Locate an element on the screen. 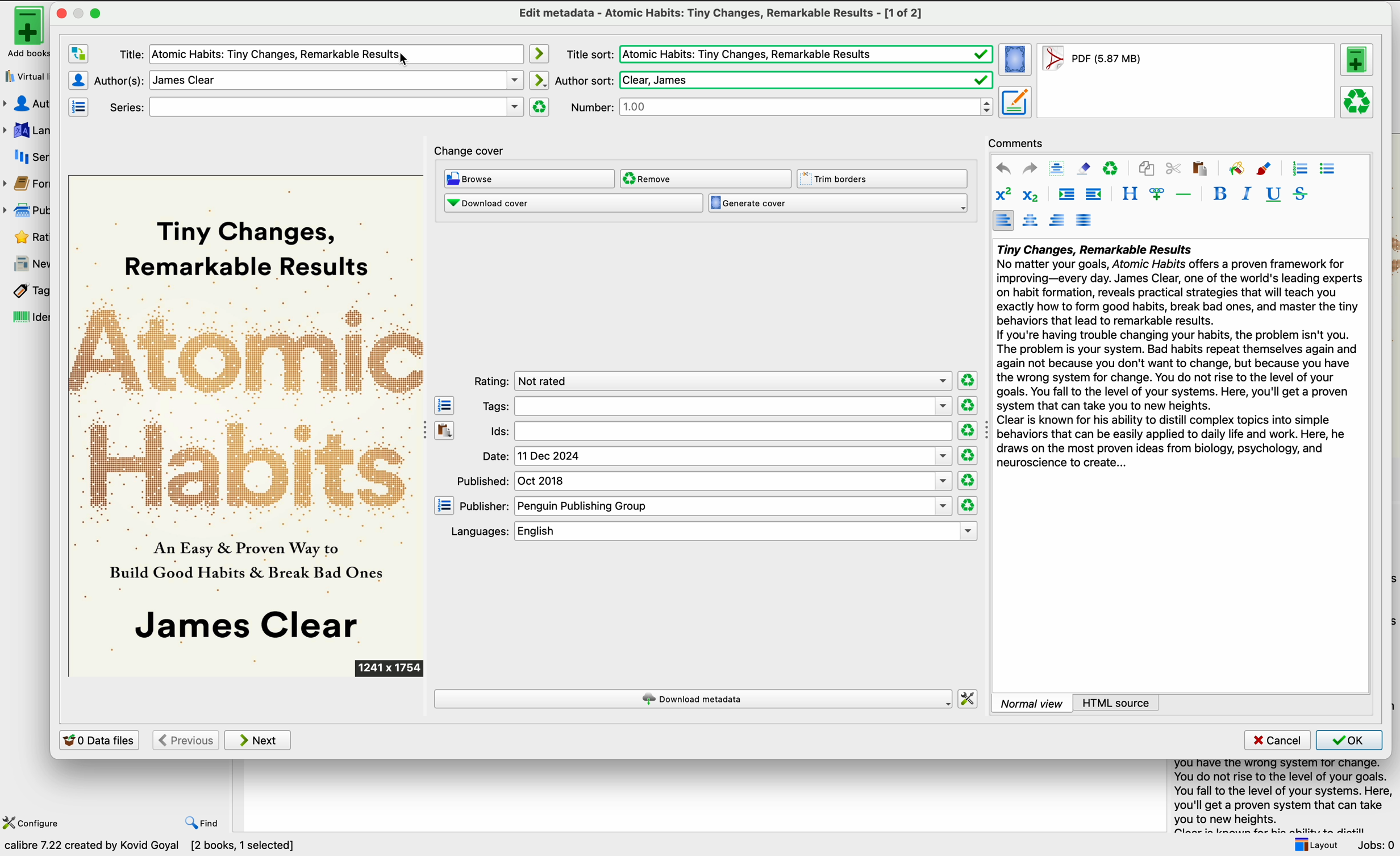 The height and width of the screenshot is (856, 1400). download cover is located at coordinates (573, 204).